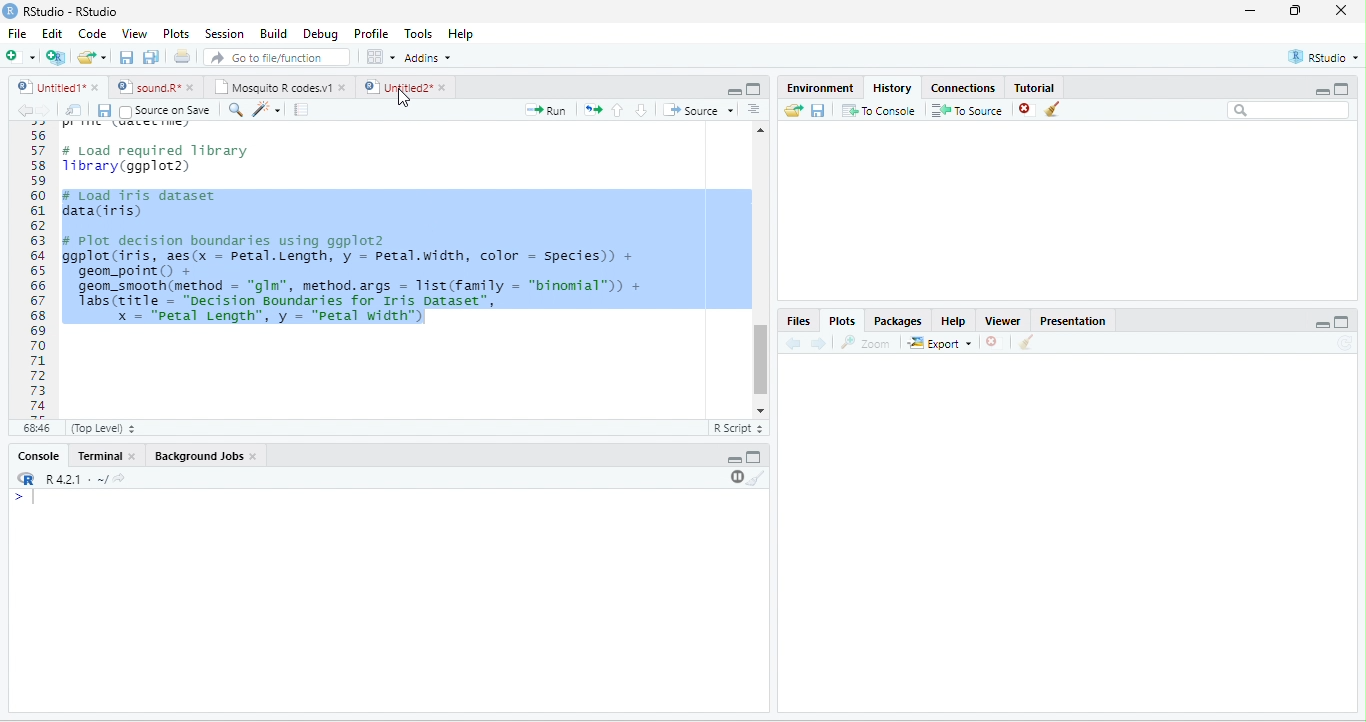  Describe the element at coordinates (368, 305) in the screenshot. I see `geom_smooth(method = gim , method.args = list(Tamily = binomial )) +
Tabs(title - “Decision Boundaries for Iris Dataset”,
x = "petal Length”, y = "Petal width")` at that location.